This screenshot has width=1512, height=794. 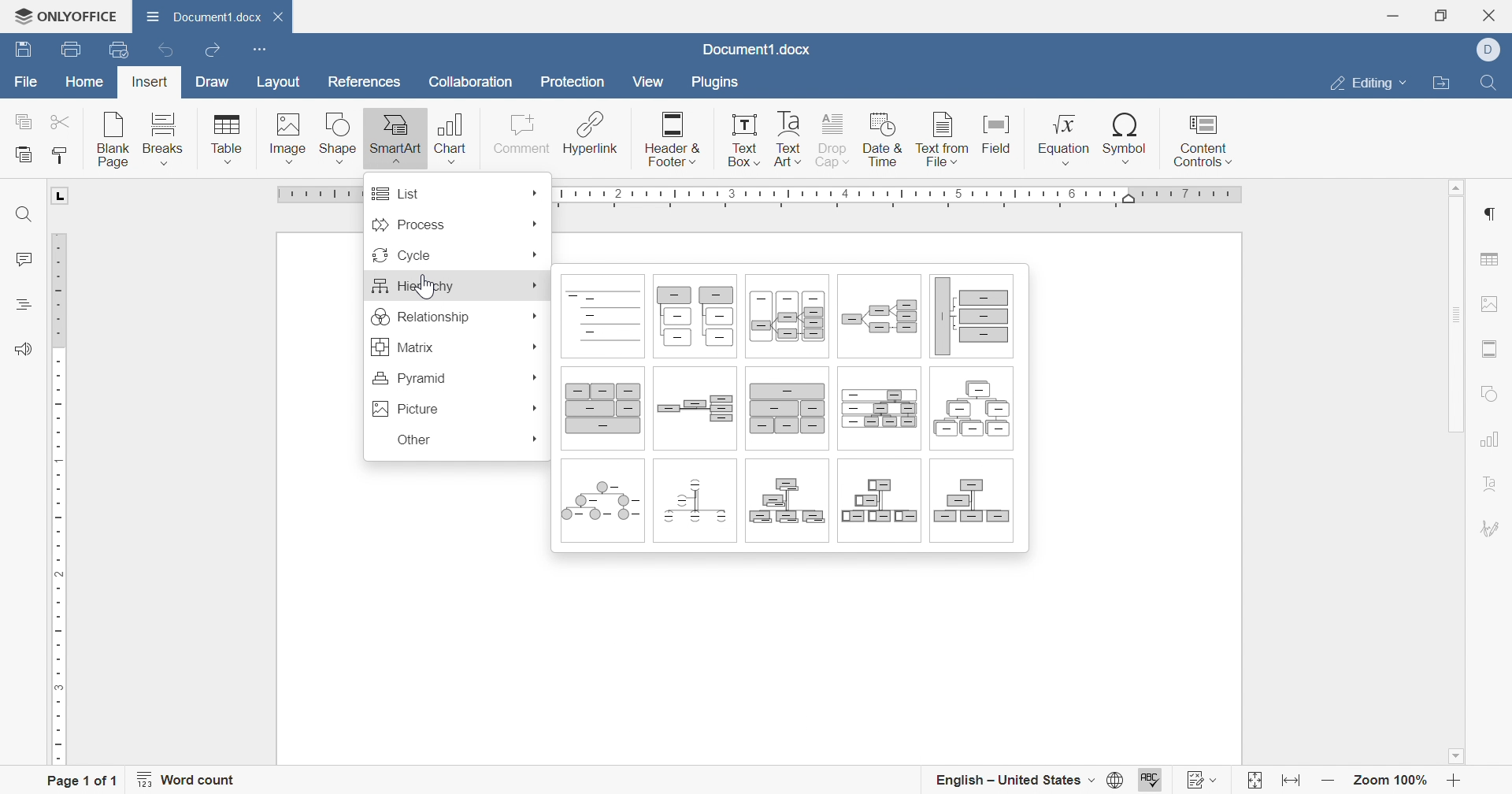 I want to click on More, so click(x=536, y=287).